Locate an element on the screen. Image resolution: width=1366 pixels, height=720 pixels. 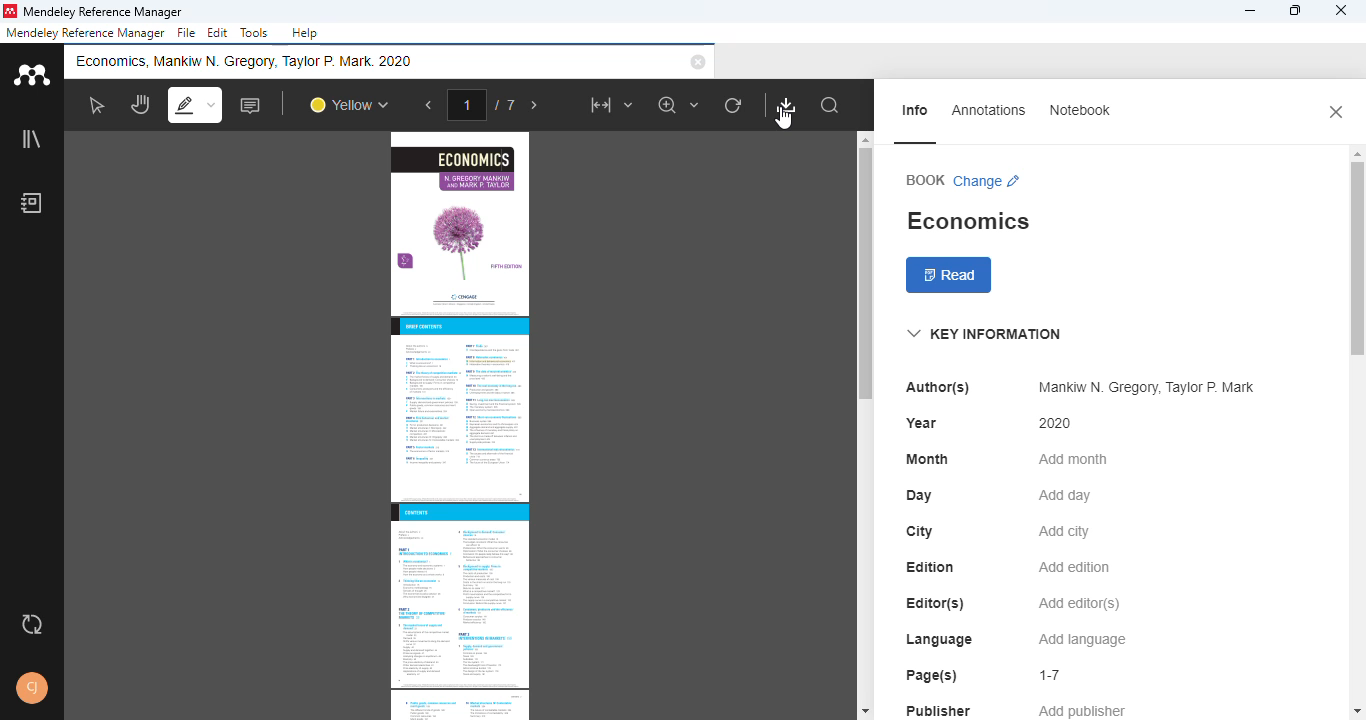
PDF pages is located at coordinates (459, 425).